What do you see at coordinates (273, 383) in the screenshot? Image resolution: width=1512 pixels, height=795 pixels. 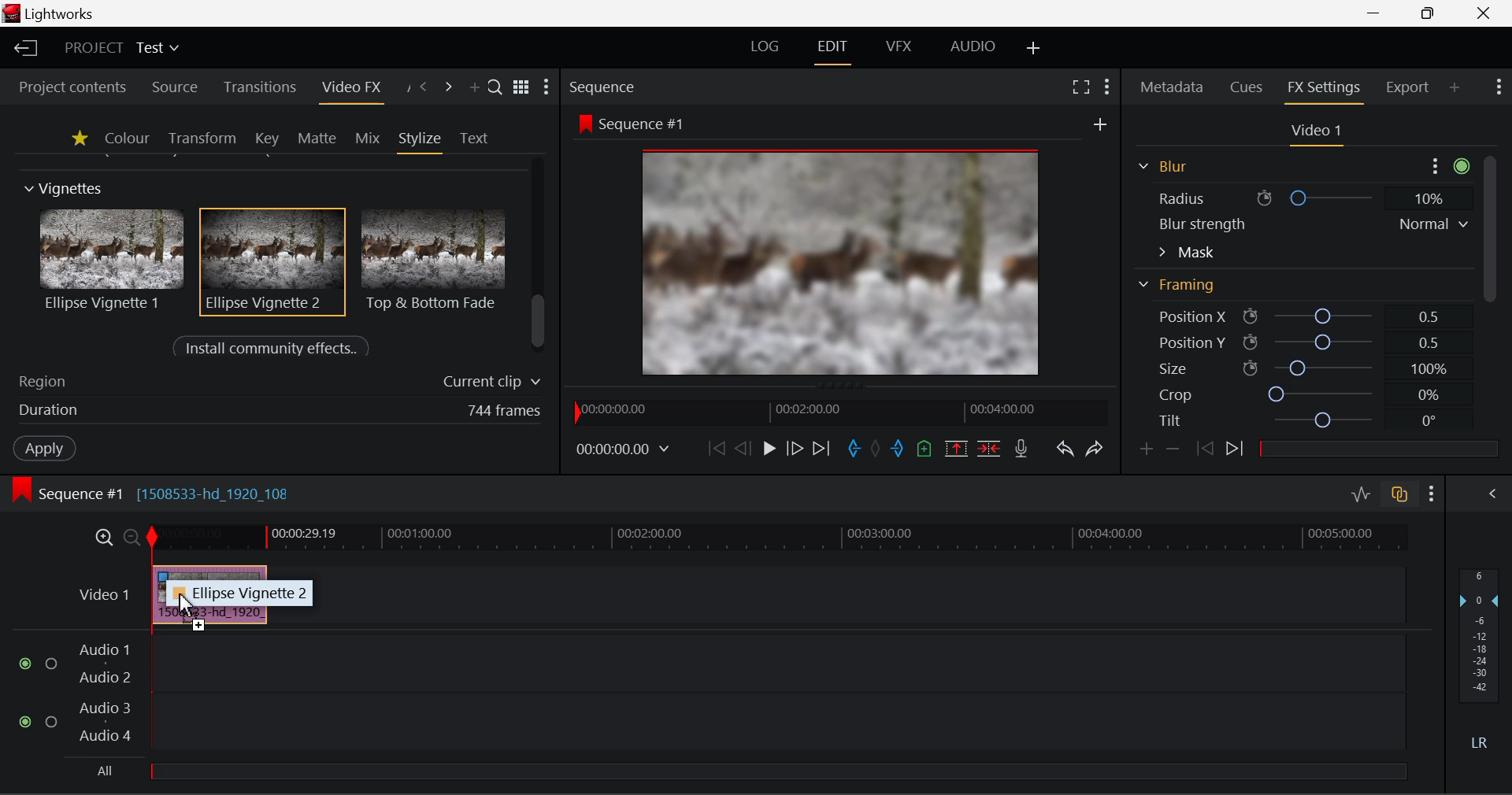 I see `Region of Effect` at bounding box center [273, 383].